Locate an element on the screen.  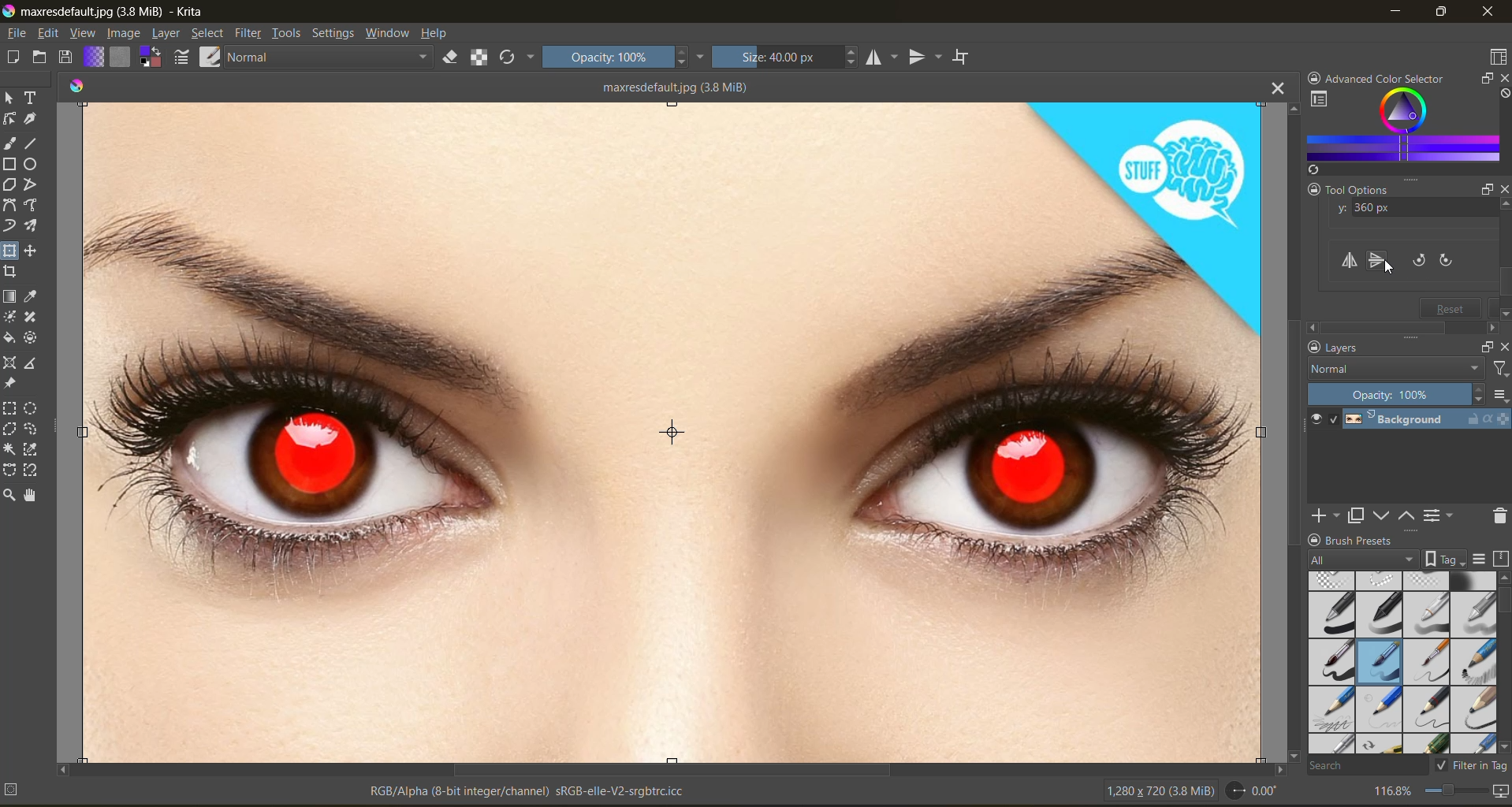
fill patterns is located at coordinates (123, 58).